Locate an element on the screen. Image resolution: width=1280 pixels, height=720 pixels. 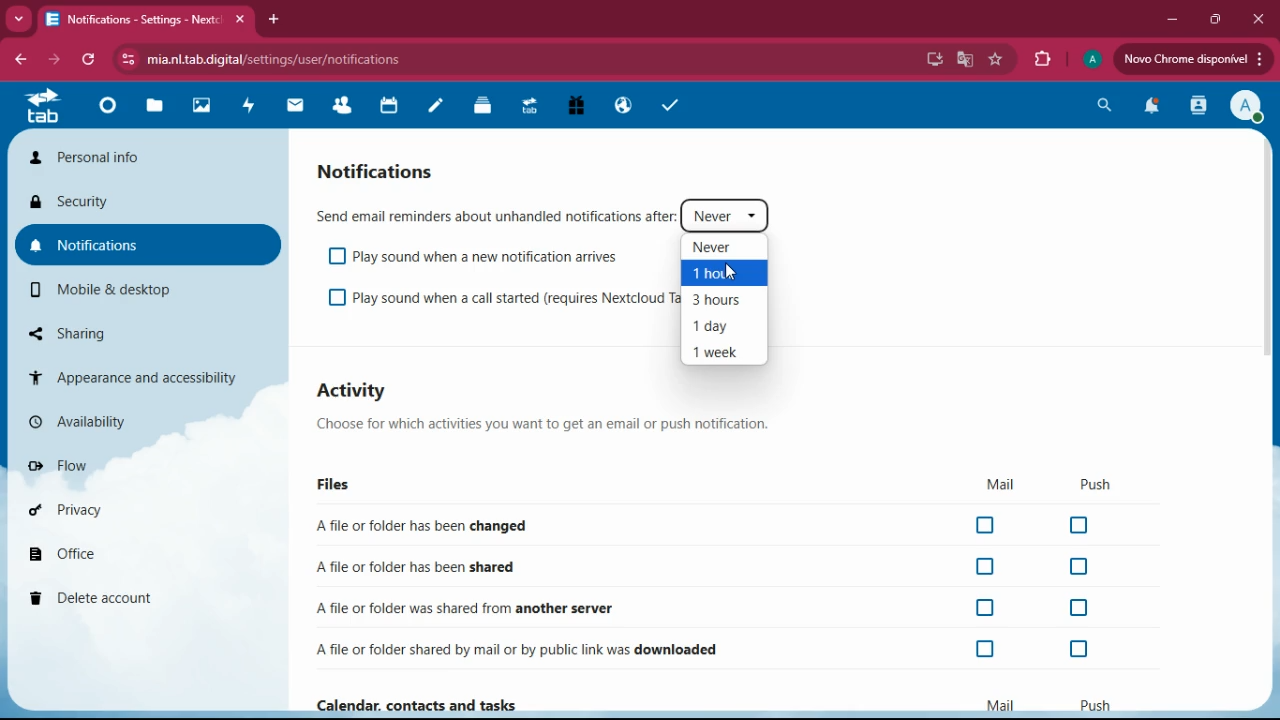
minimize is located at coordinates (1175, 19).